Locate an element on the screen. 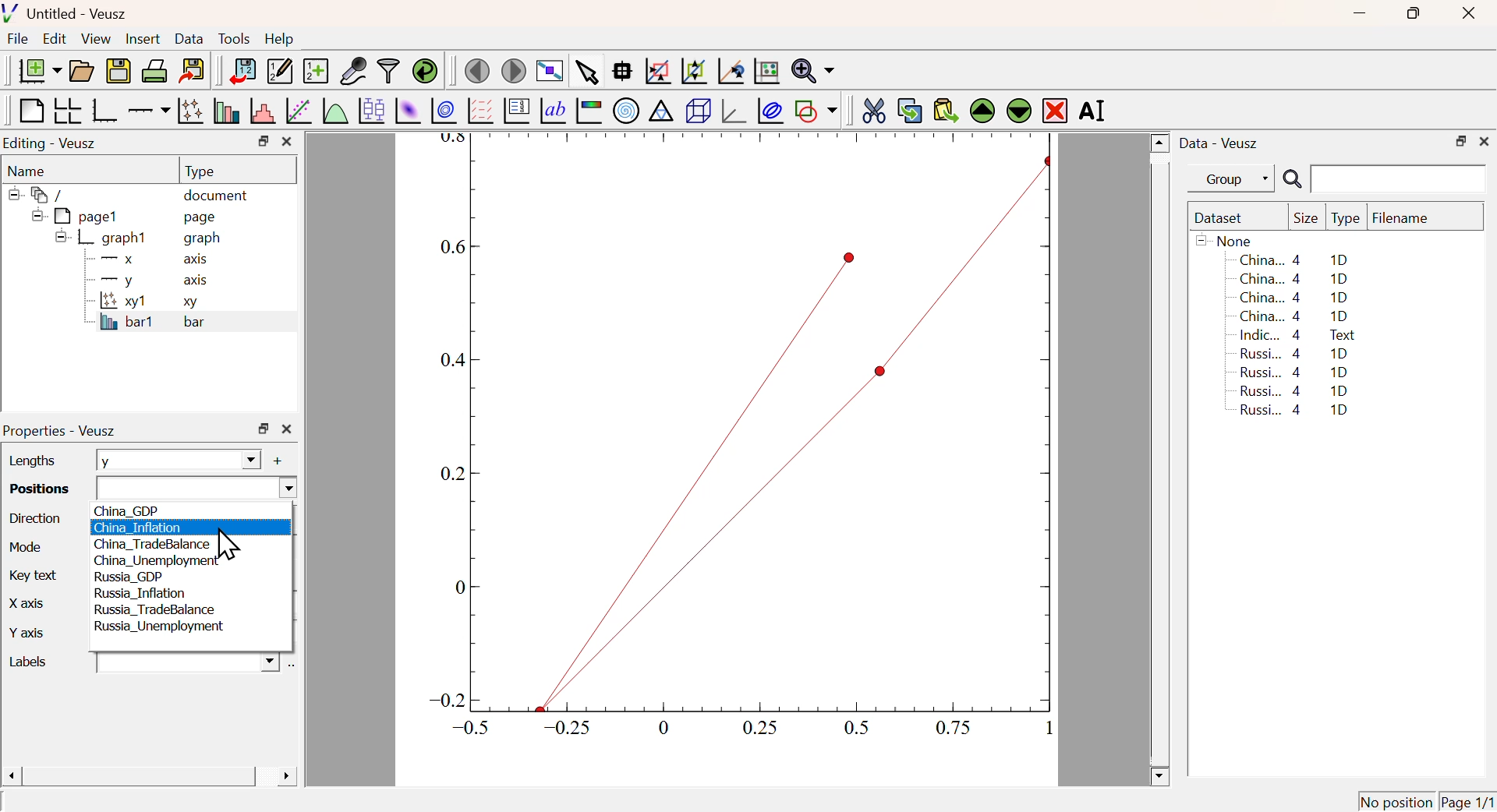 The height and width of the screenshot is (812, 1497). Mode is located at coordinates (23, 545).